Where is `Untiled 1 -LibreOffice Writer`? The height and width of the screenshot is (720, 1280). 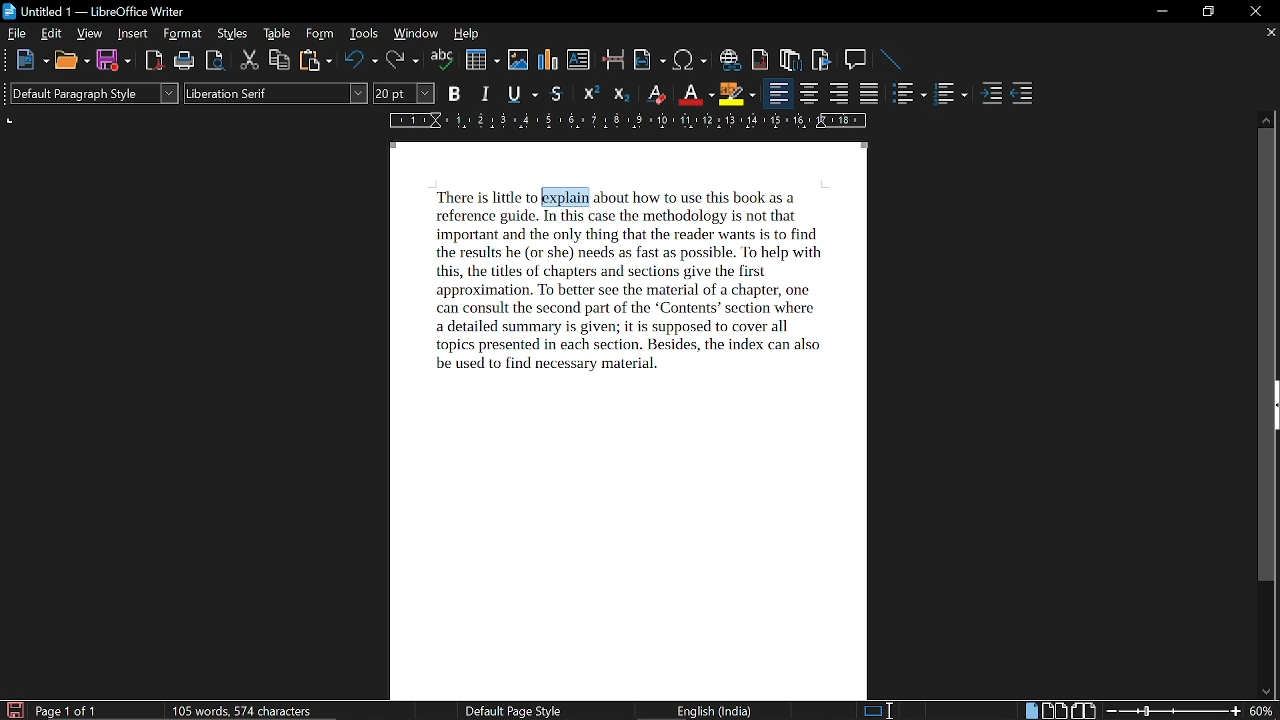
Untiled 1 -LibreOffice Writer is located at coordinates (105, 11).